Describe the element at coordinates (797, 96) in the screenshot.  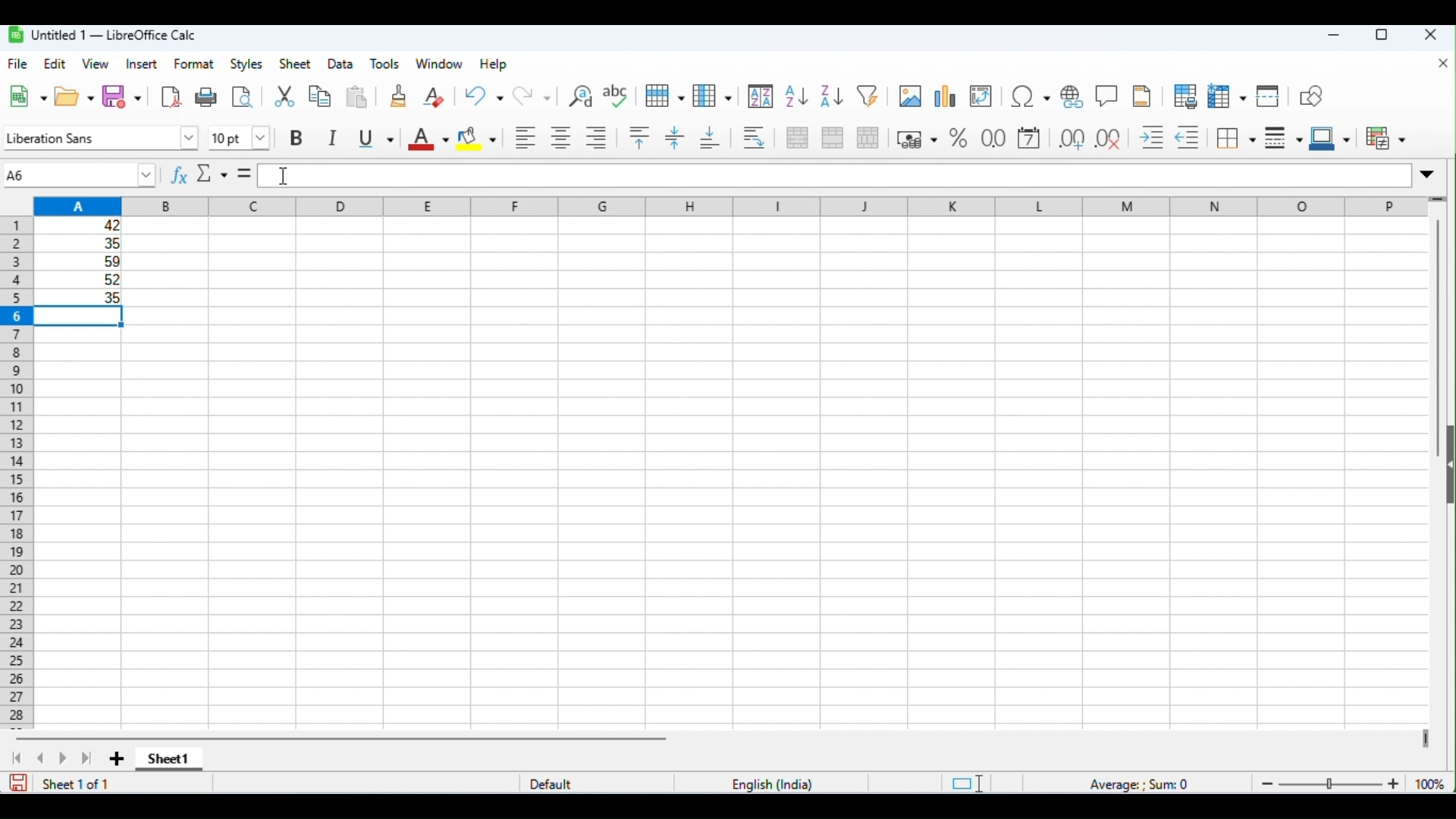
I see `sort ascending` at that location.